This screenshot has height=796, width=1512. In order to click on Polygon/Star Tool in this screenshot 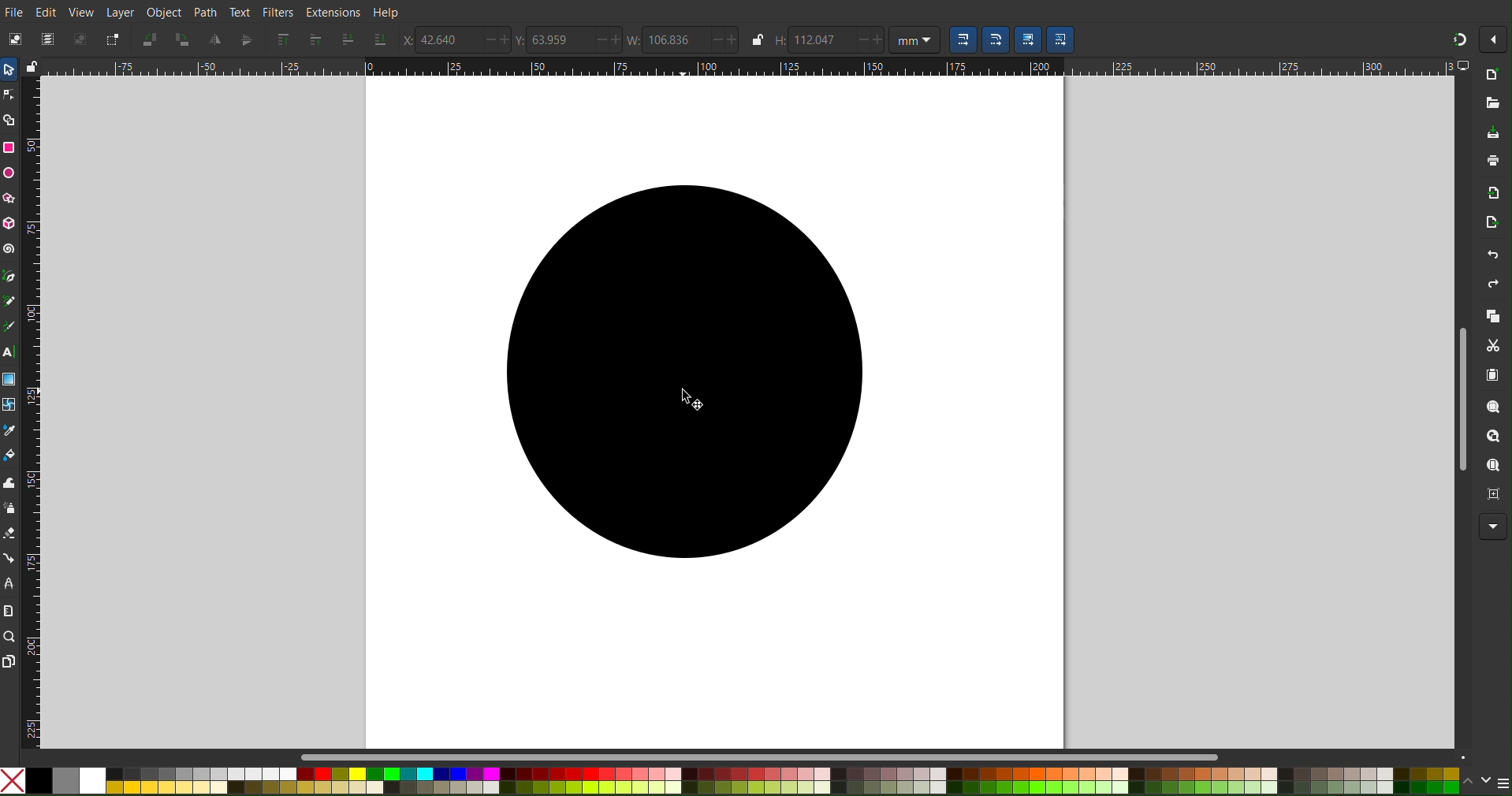, I will do `click(9, 197)`.